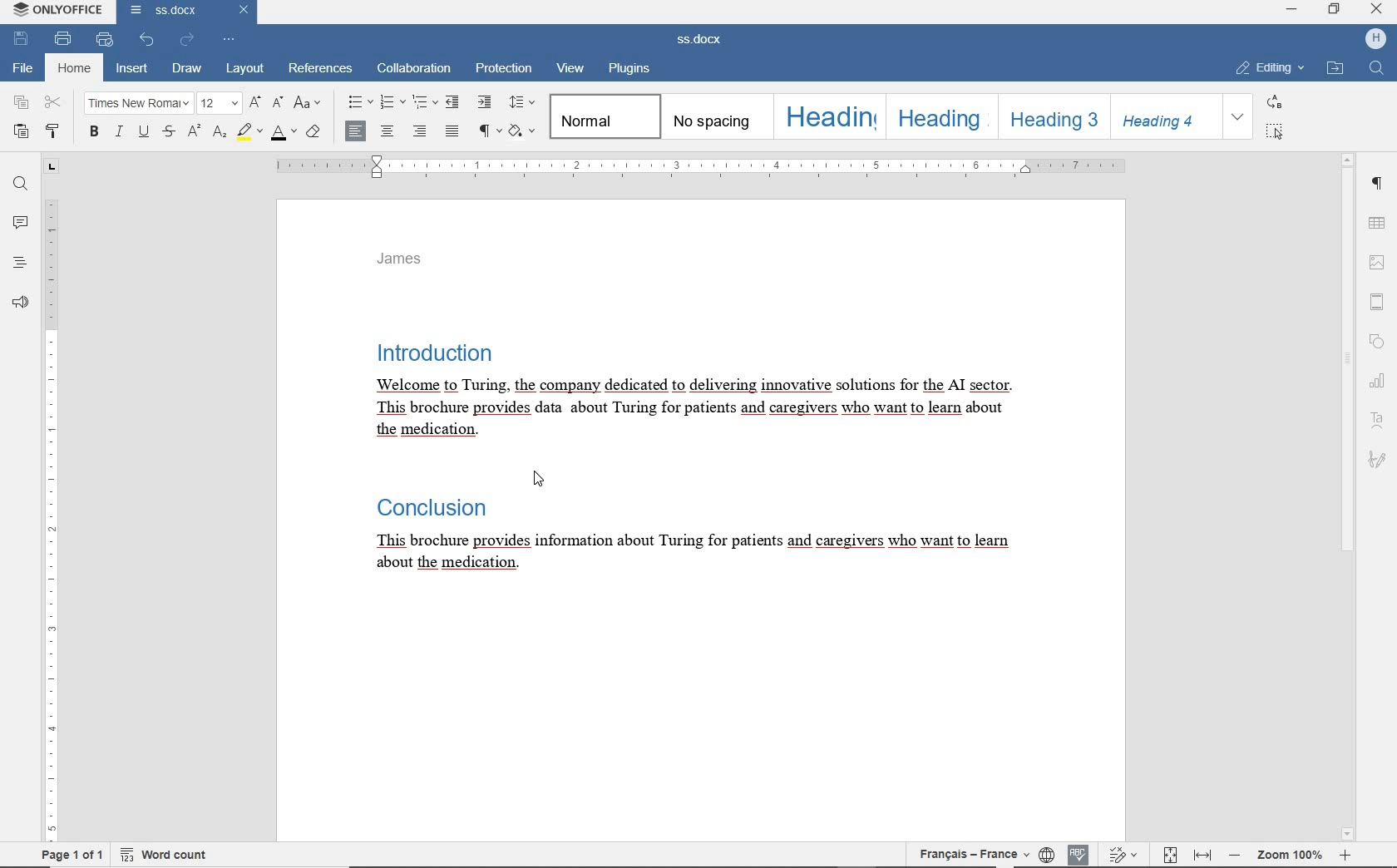 The width and height of the screenshot is (1397, 868). What do you see at coordinates (73, 70) in the screenshot?
I see `HOME` at bounding box center [73, 70].